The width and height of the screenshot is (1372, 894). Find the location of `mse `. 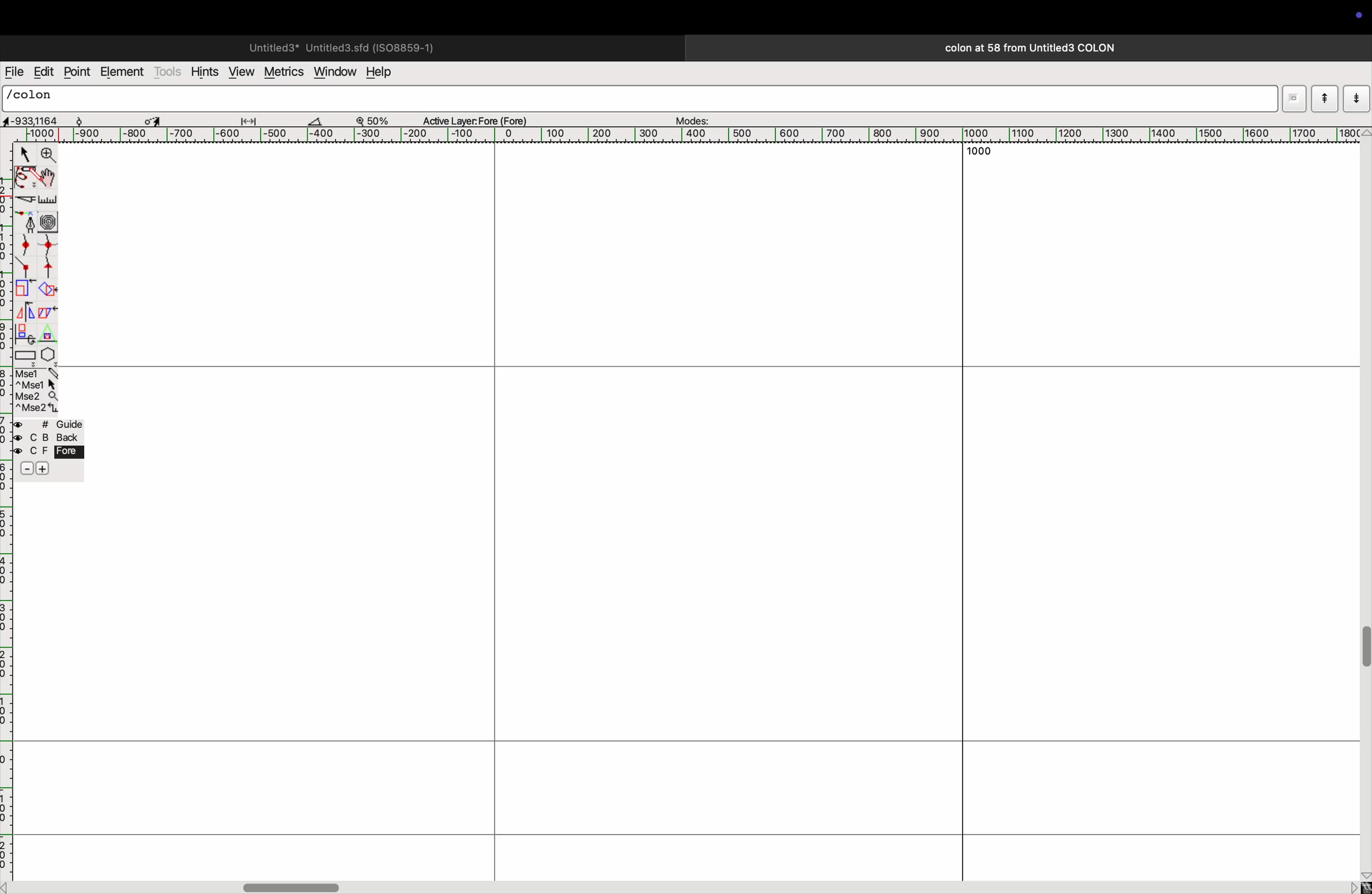

mse  is located at coordinates (35, 390).